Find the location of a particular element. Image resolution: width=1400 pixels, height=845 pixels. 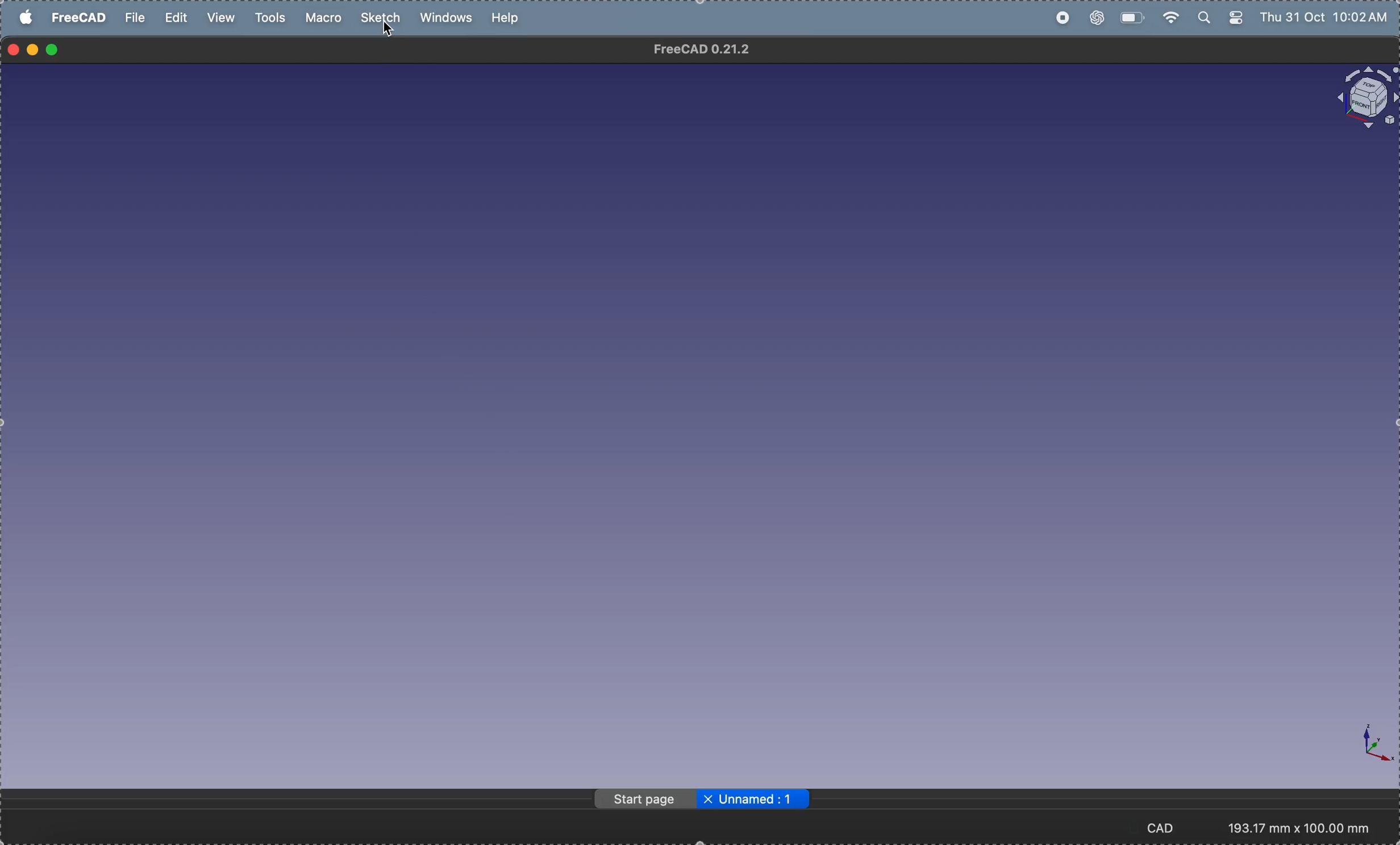

record is located at coordinates (1062, 18).